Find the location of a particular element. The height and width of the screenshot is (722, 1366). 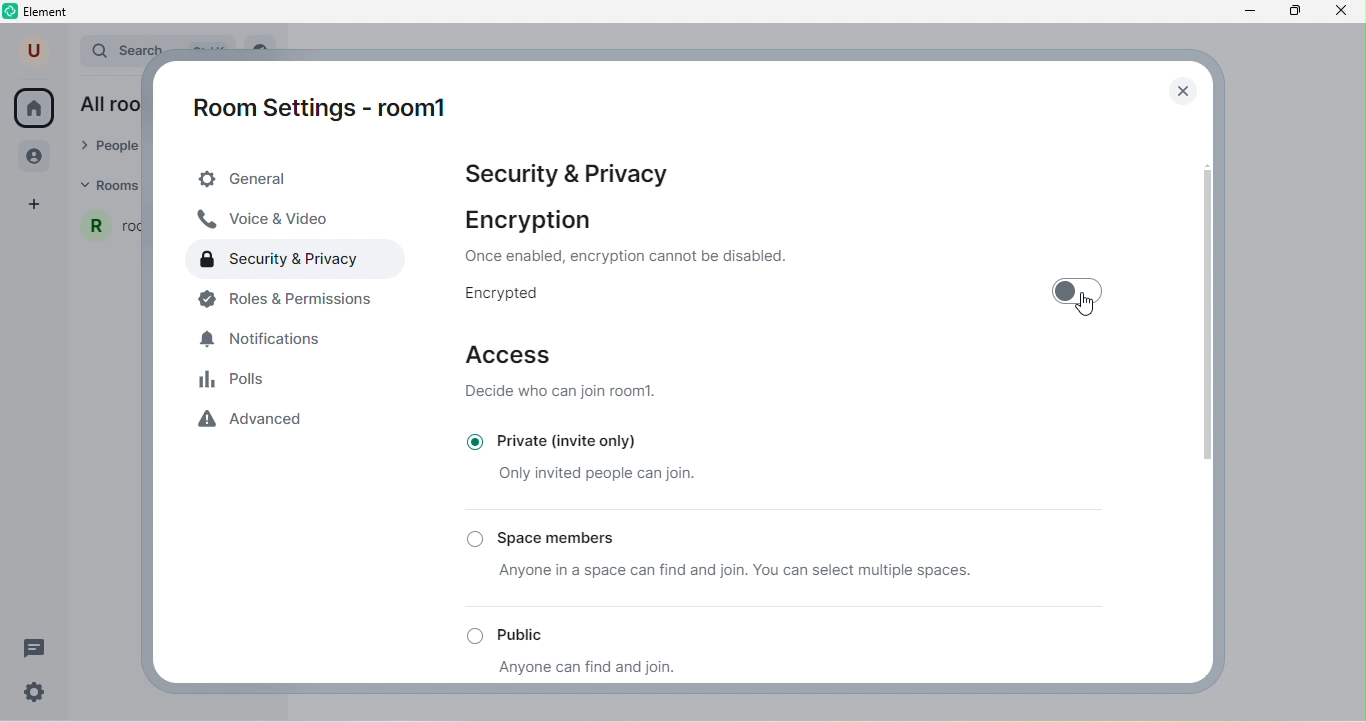

threads is located at coordinates (33, 646).